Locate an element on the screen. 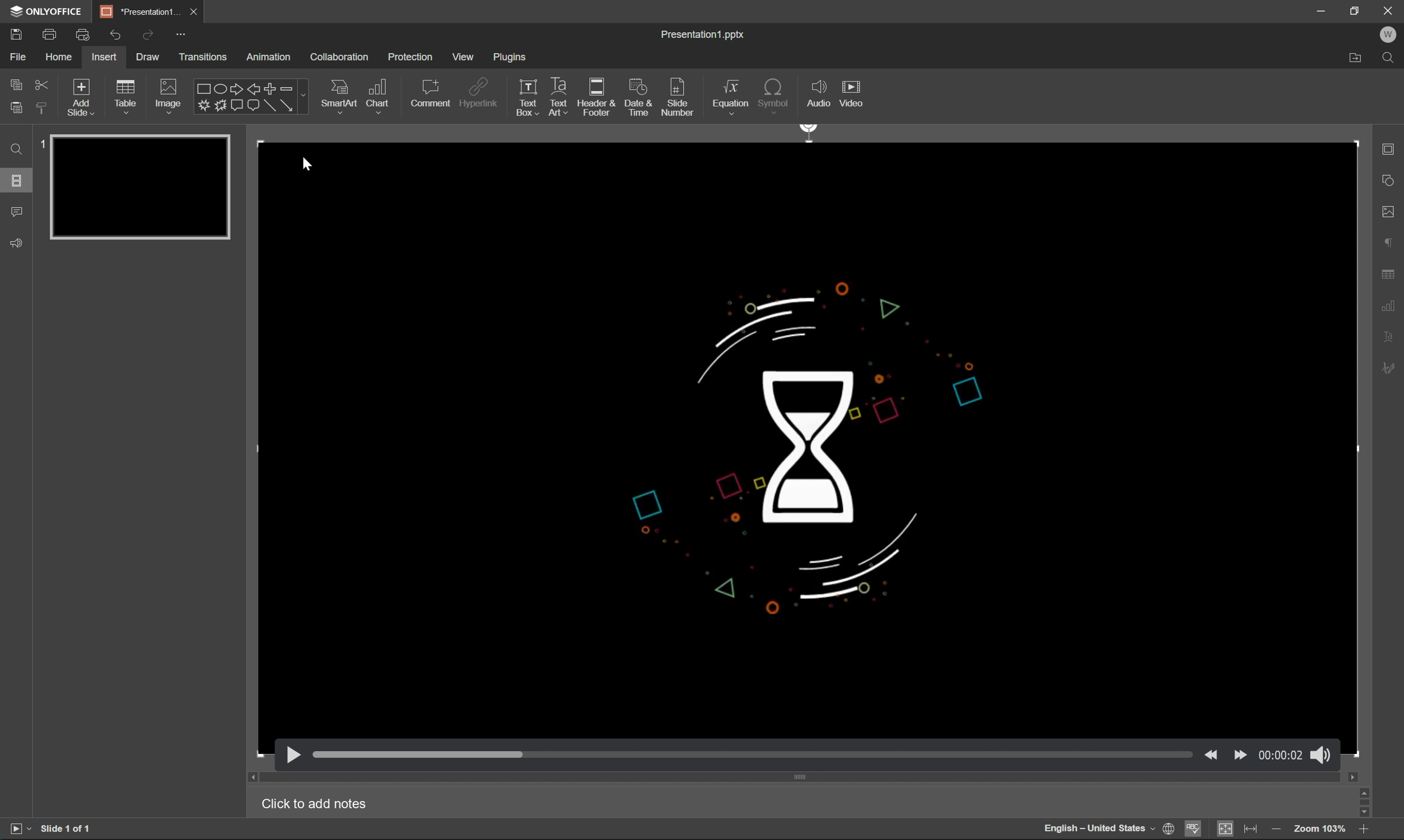 This screenshot has width=1404, height=840. Find is located at coordinates (1391, 59).